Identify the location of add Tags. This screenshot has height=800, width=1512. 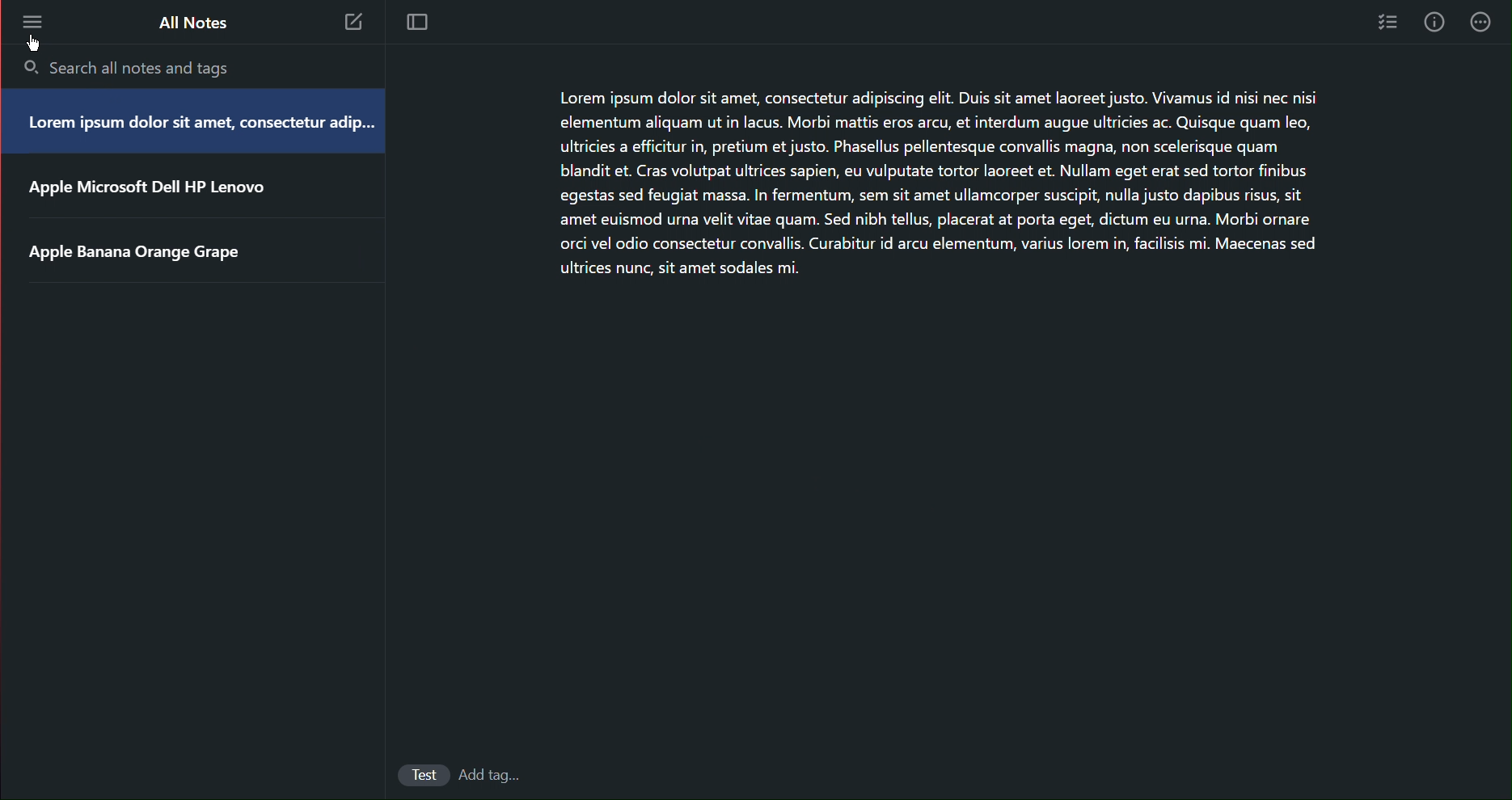
(496, 773).